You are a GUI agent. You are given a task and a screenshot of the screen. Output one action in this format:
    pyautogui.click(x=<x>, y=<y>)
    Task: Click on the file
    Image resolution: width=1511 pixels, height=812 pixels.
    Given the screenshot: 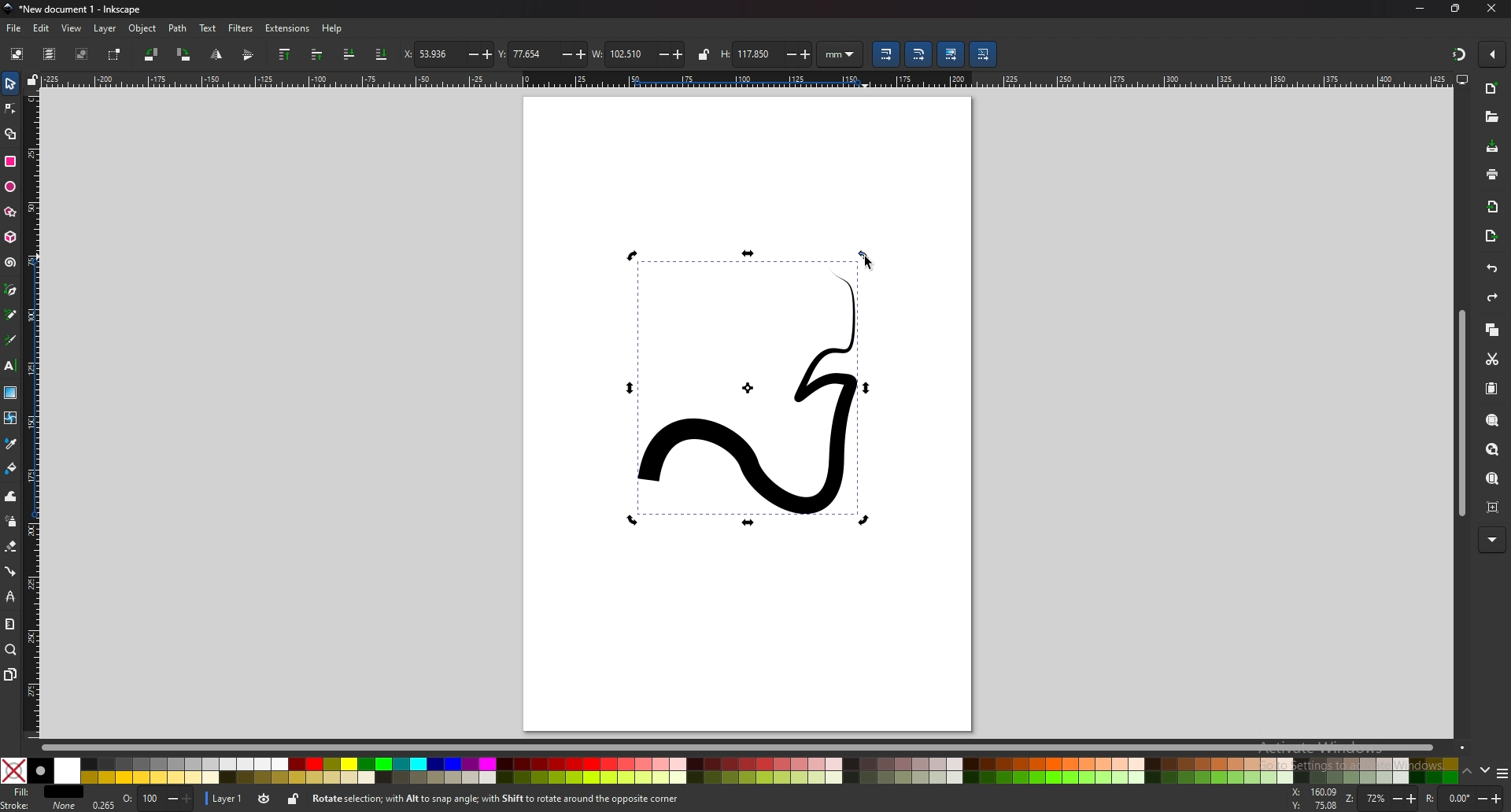 What is the action you would take?
    pyautogui.click(x=13, y=28)
    